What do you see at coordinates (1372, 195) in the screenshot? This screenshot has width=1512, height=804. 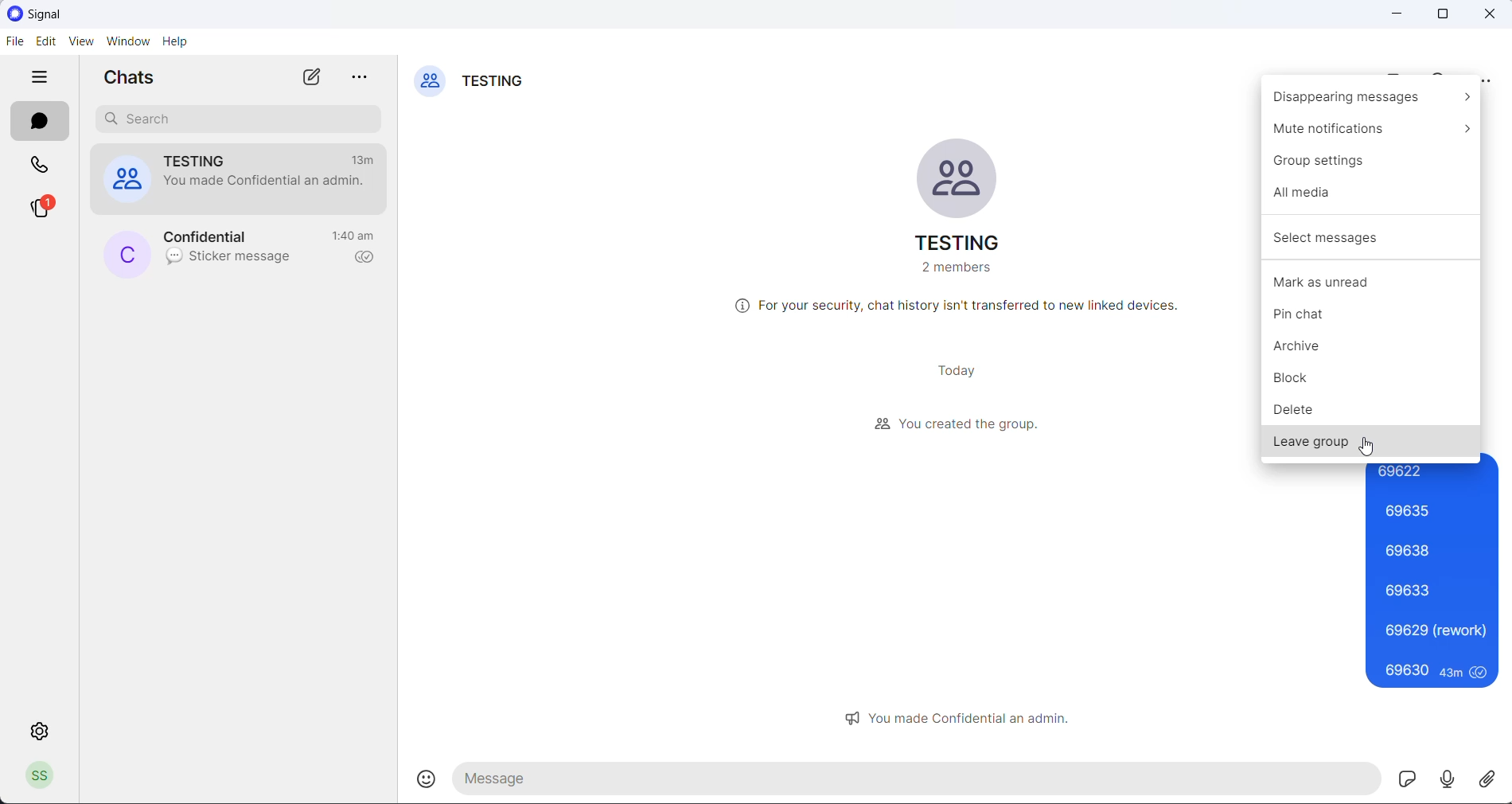 I see `all media` at bounding box center [1372, 195].